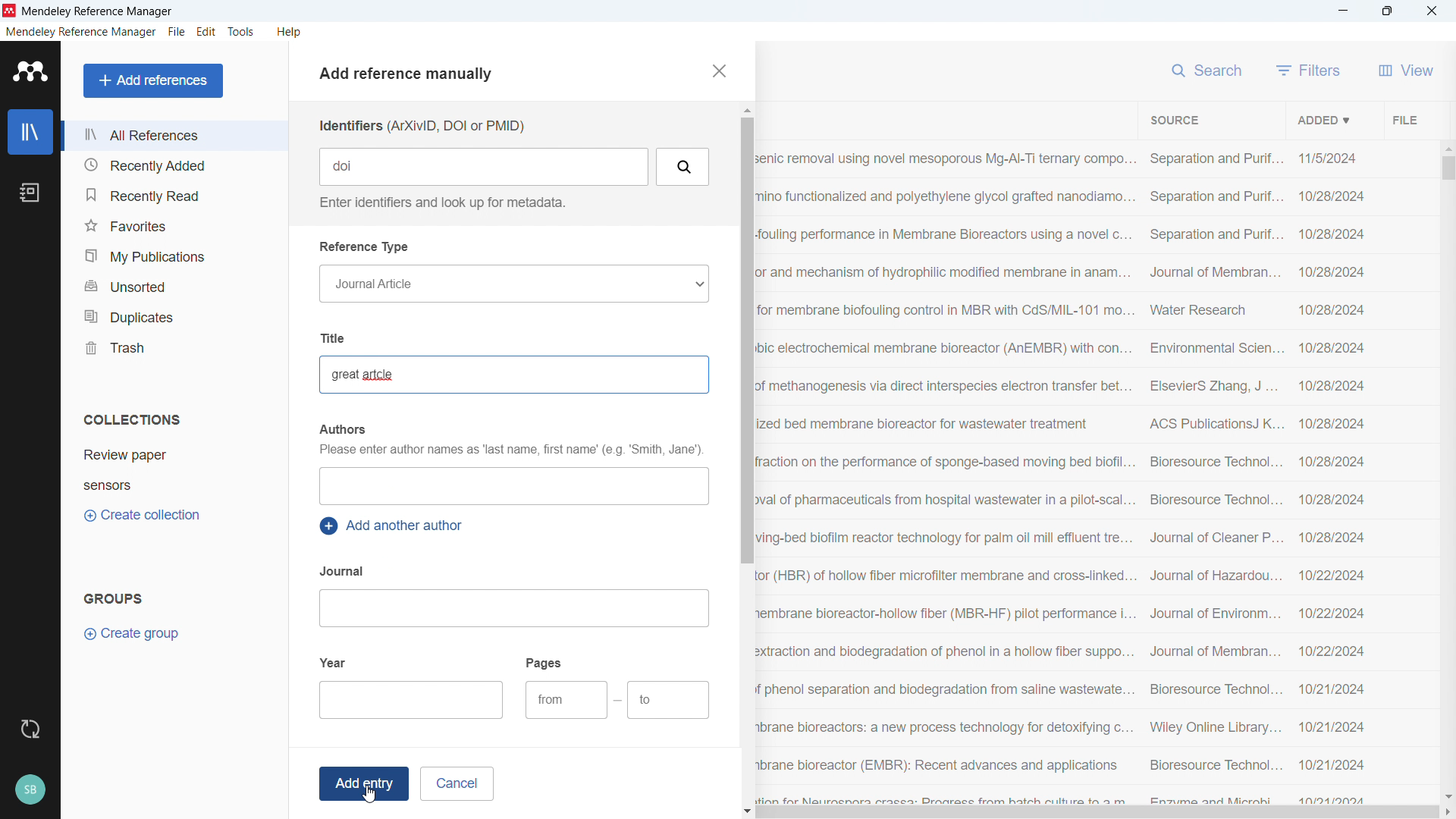 Image resolution: width=1456 pixels, height=819 pixels. I want to click on logo, so click(10, 11).